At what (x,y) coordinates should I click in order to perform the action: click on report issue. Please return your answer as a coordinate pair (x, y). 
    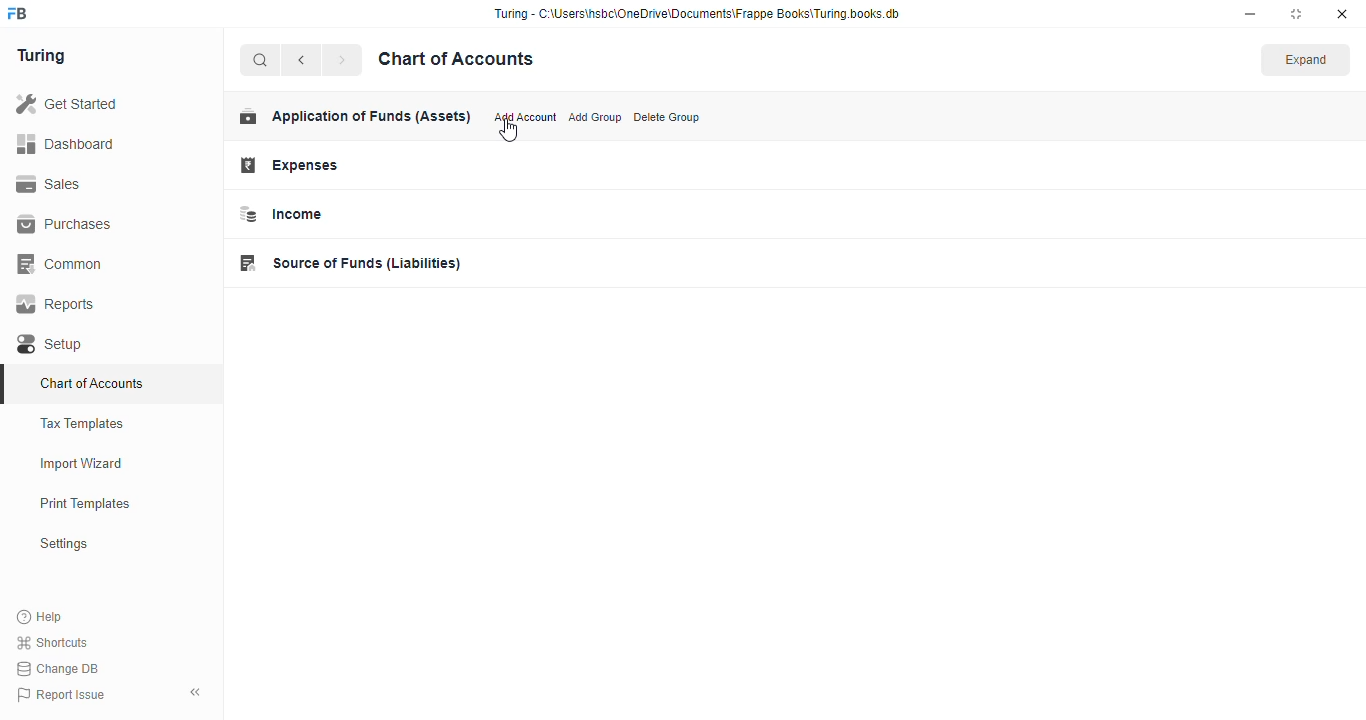
    Looking at the image, I should click on (60, 694).